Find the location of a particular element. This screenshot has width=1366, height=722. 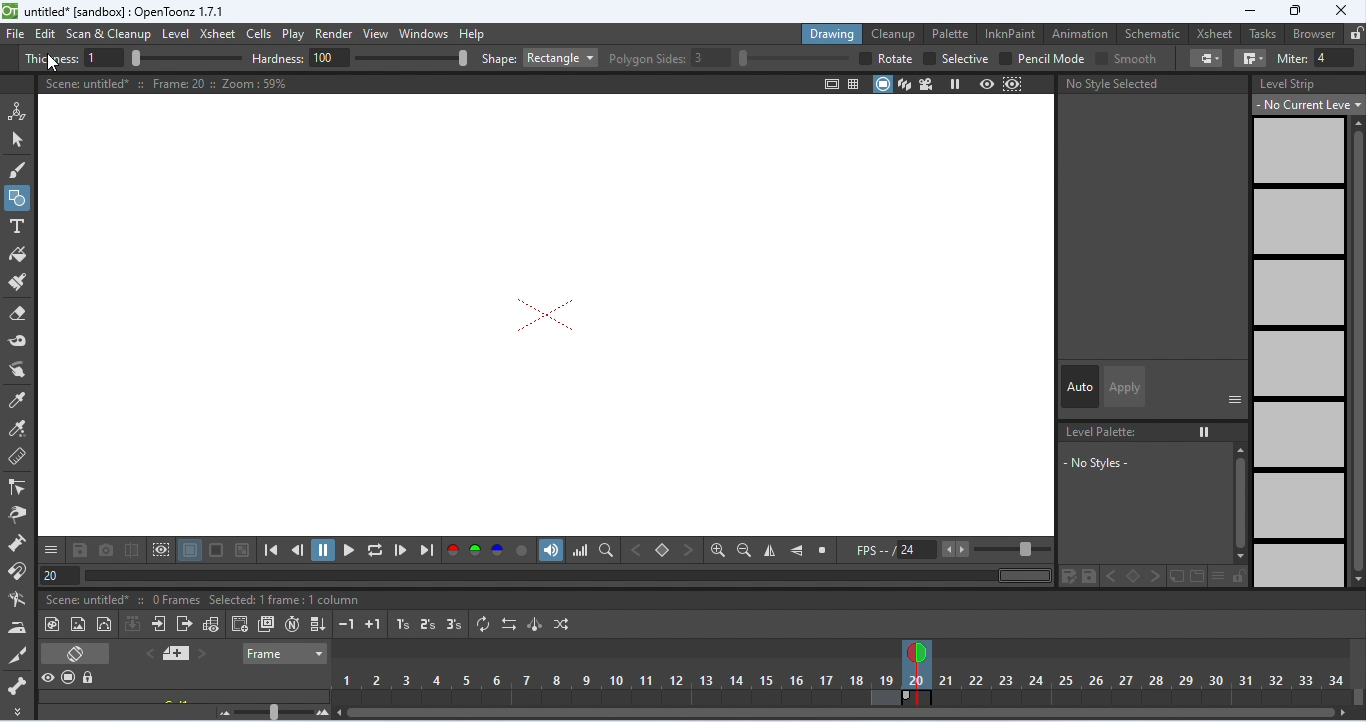

compare snapshot is located at coordinates (131, 550).